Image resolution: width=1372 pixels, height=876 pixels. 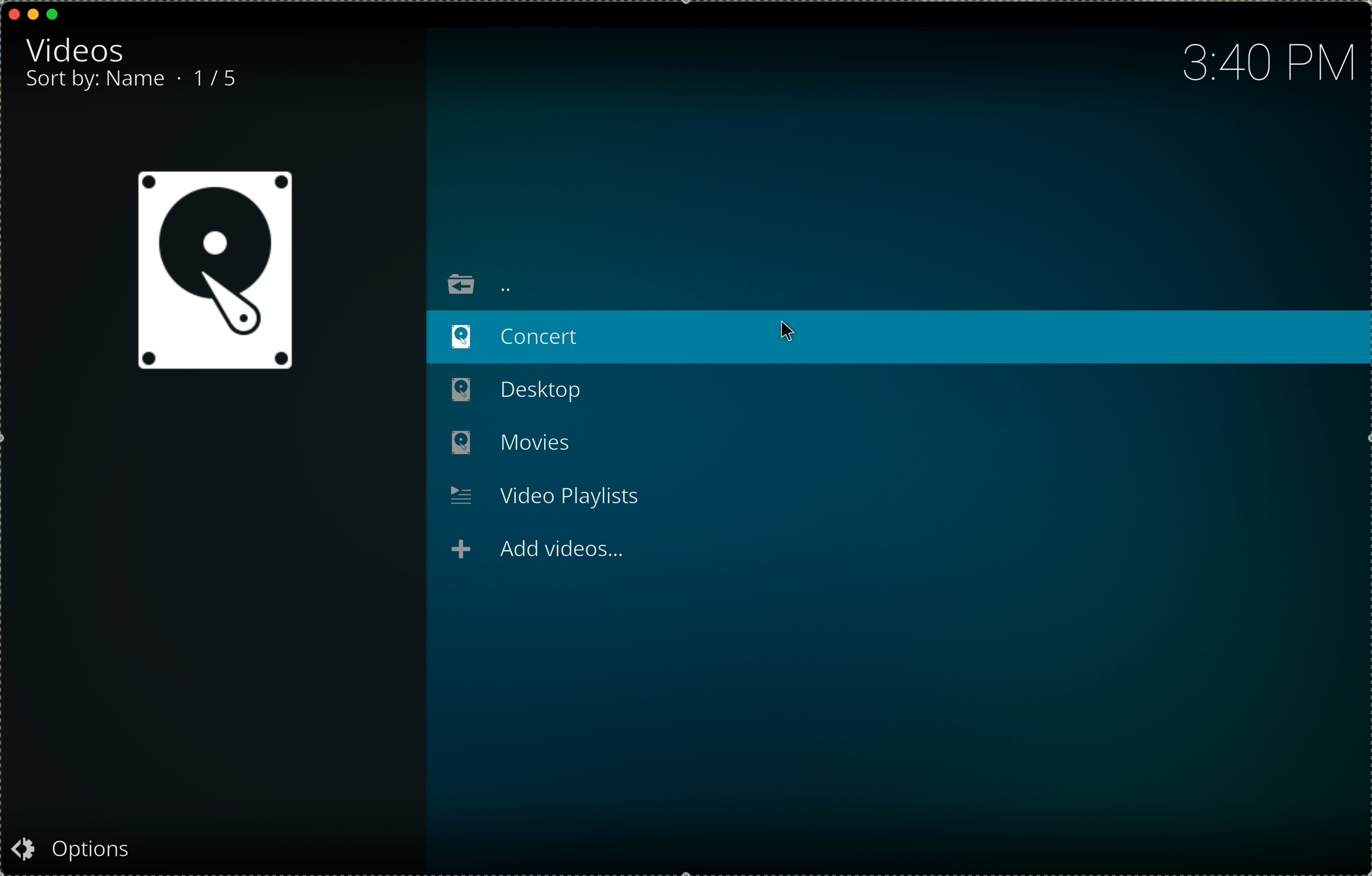 What do you see at coordinates (76, 848) in the screenshot?
I see `Options` at bounding box center [76, 848].